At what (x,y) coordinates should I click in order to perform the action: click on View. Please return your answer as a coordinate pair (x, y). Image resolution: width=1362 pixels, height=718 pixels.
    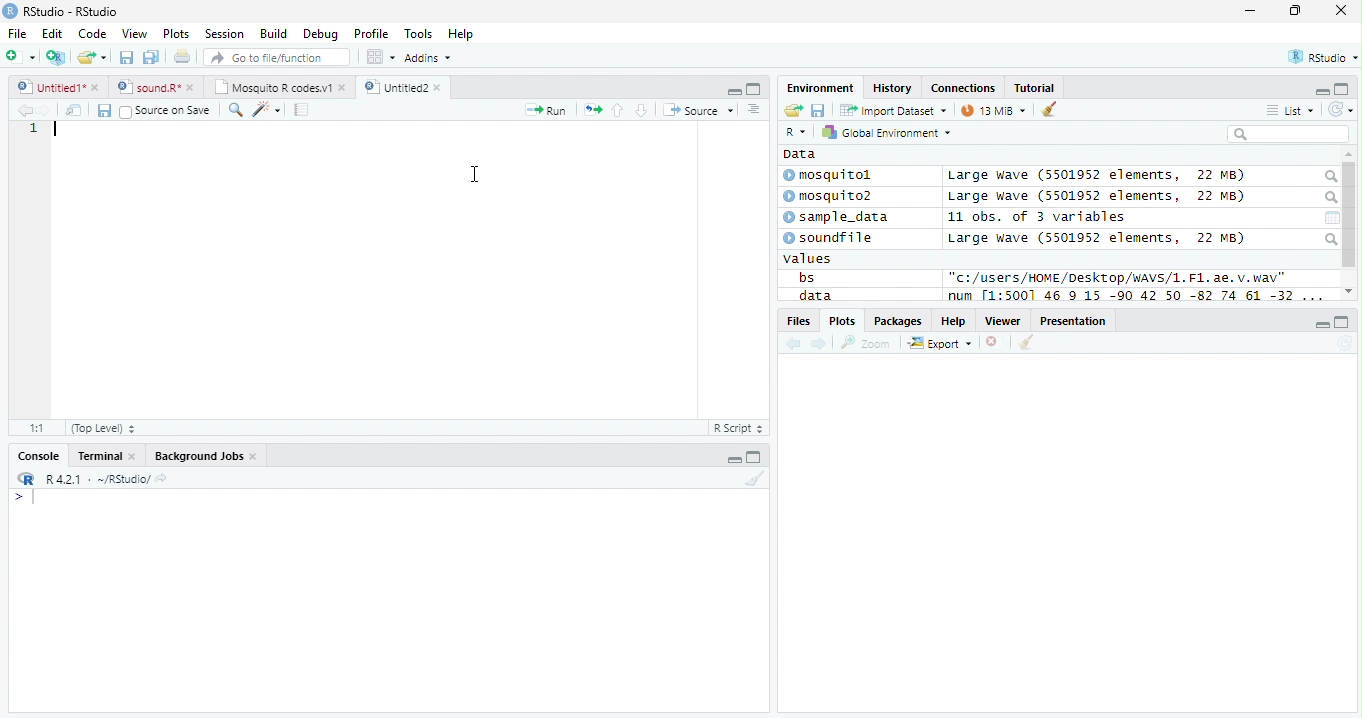
    Looking at the image, I should click on (136, 33).